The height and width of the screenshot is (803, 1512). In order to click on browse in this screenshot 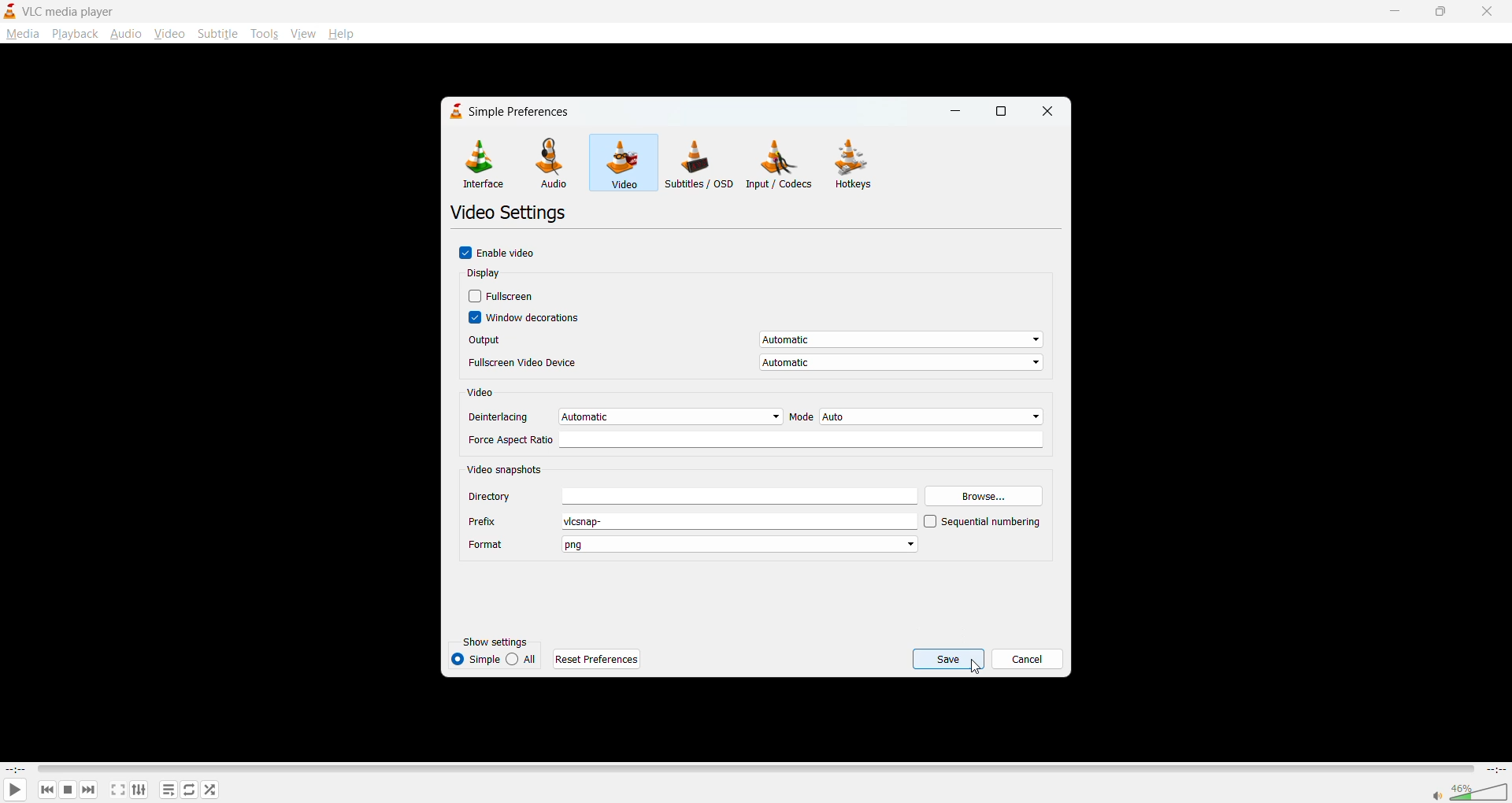, I will do `click(984, 494)`.